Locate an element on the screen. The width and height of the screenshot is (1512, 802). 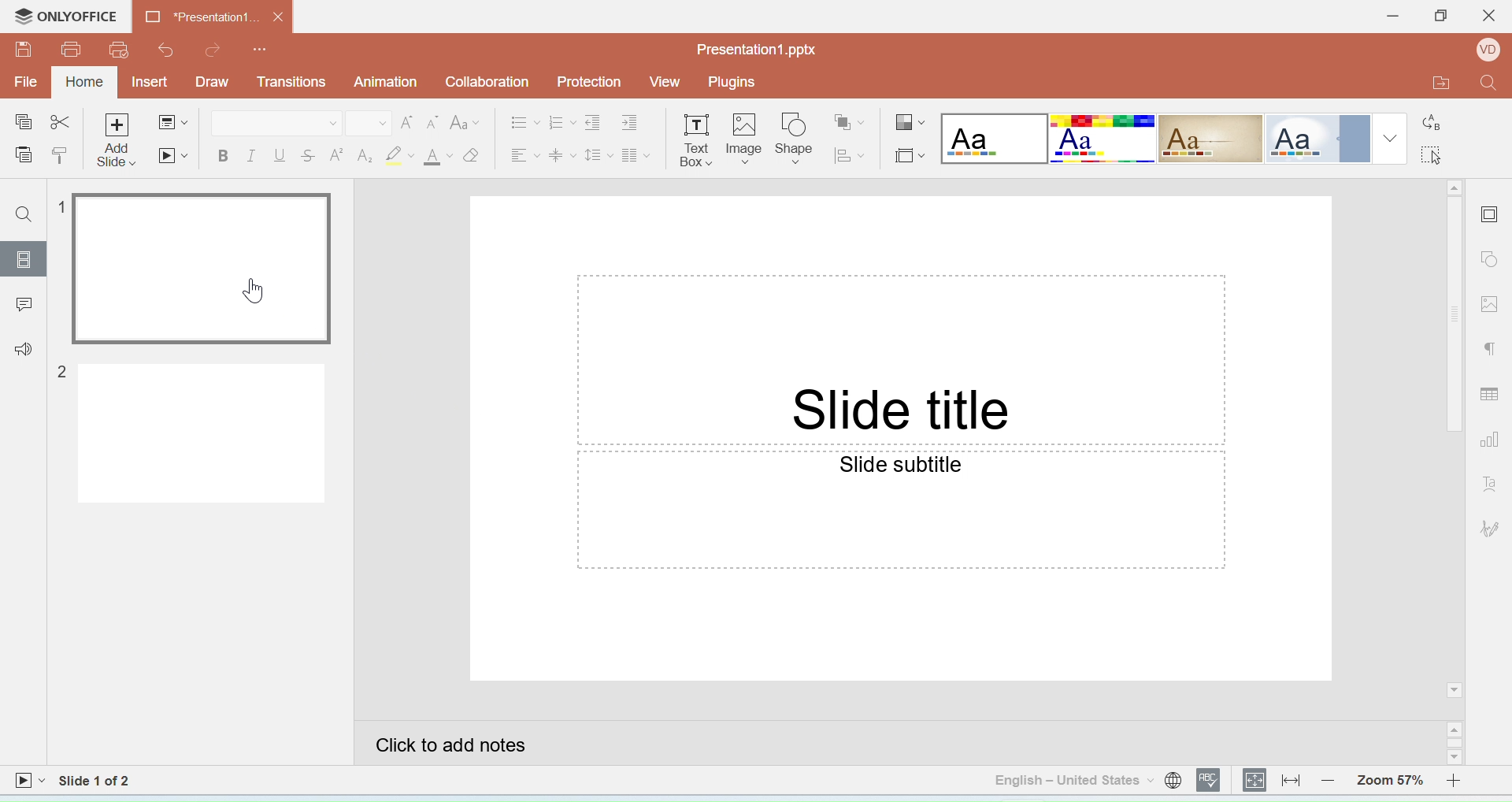
Signature settings is located at coordinates (1492, 528).